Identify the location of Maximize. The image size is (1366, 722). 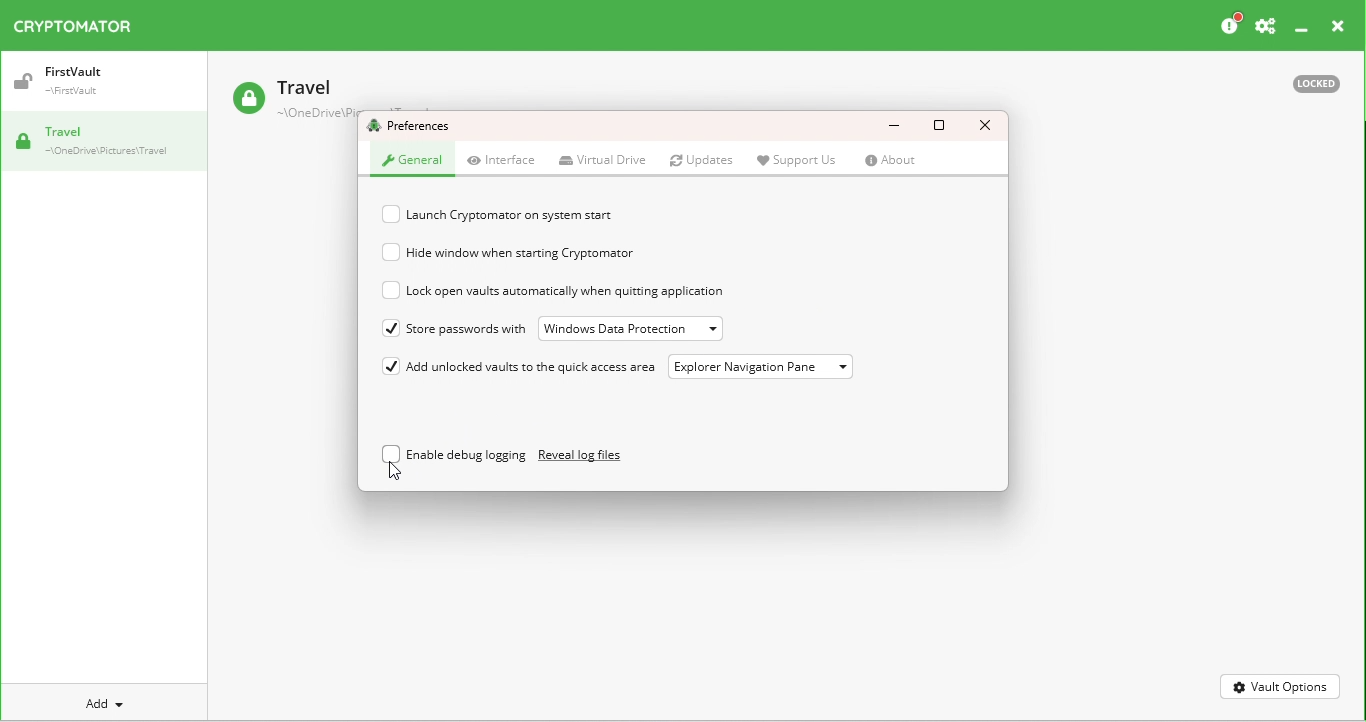
(944, 126).